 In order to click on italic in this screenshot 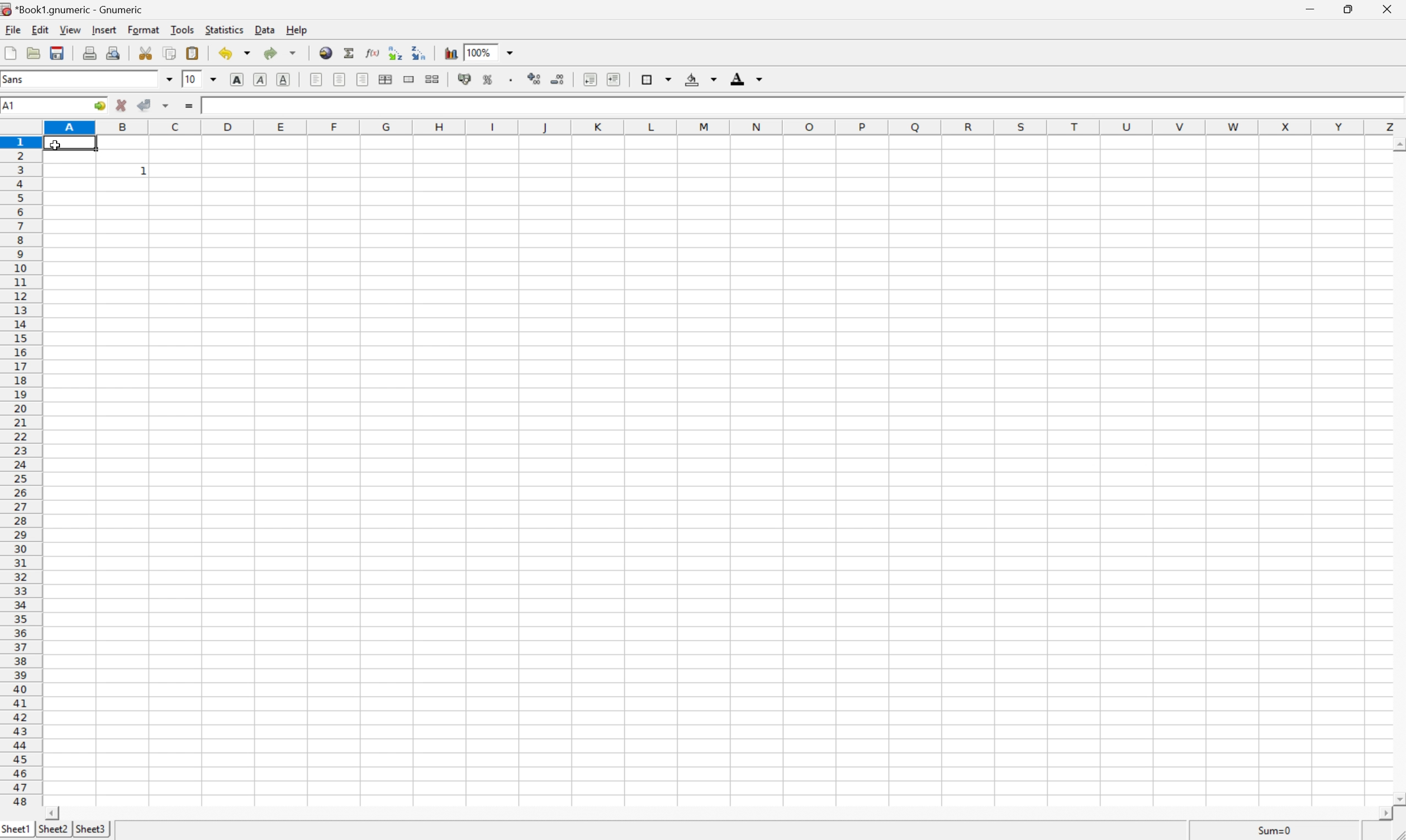, I will do `click(262, 80)`.